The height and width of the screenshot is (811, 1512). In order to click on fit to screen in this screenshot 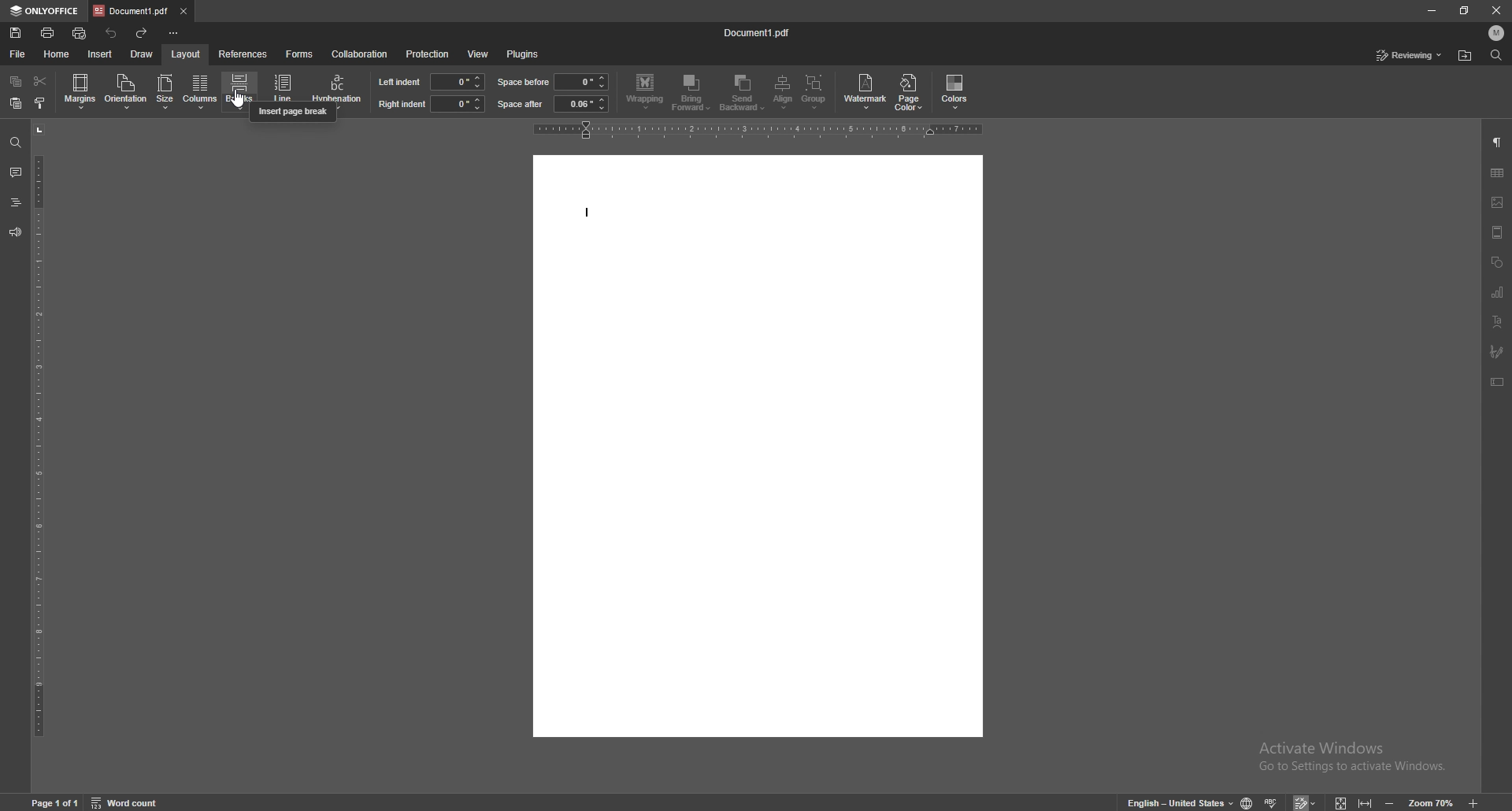, I will do `click(1338, 801)`.